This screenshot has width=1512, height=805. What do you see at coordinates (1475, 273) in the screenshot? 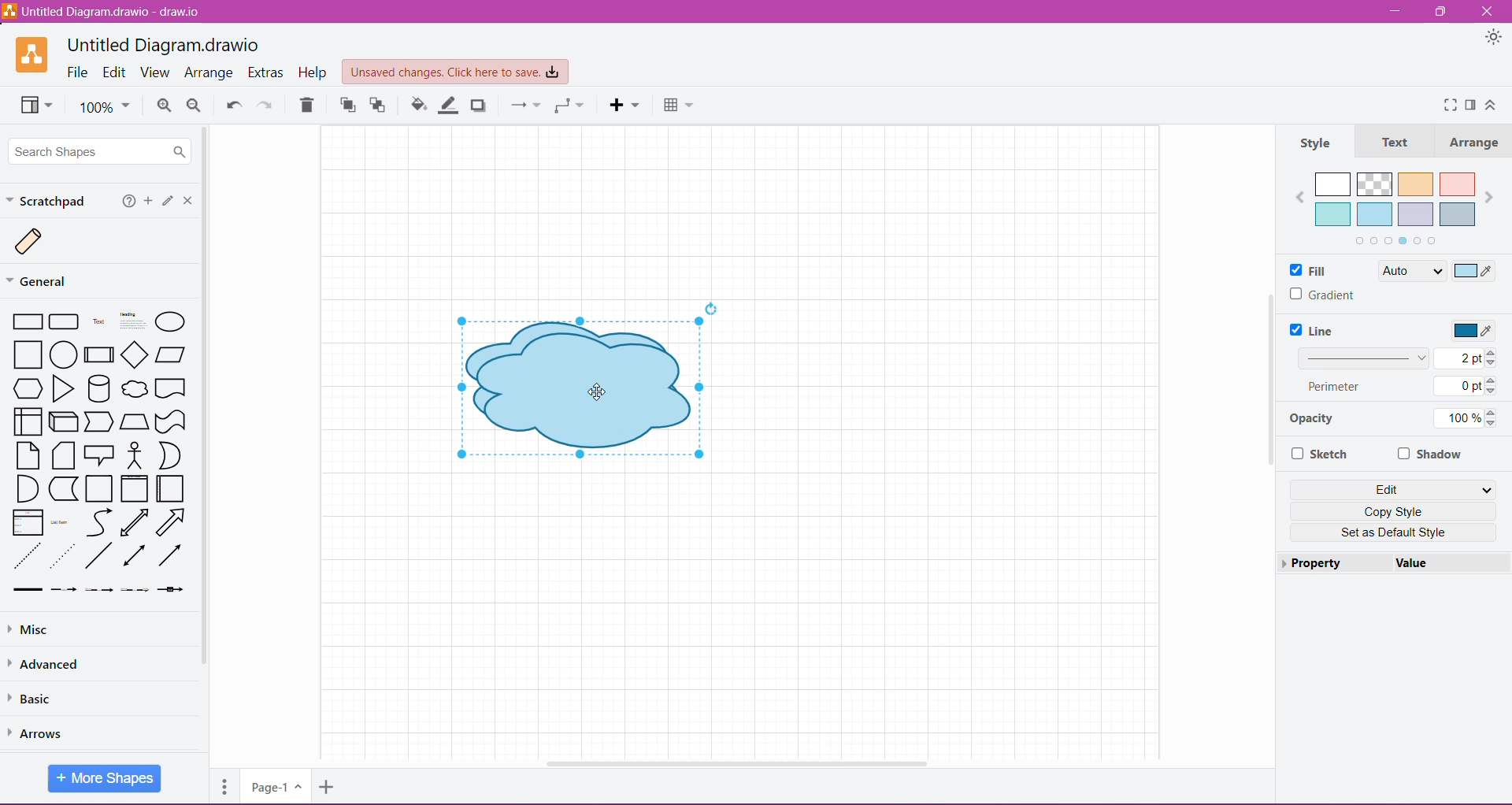
I see `Select Color to Fill` at bounding box center [1475, 273].